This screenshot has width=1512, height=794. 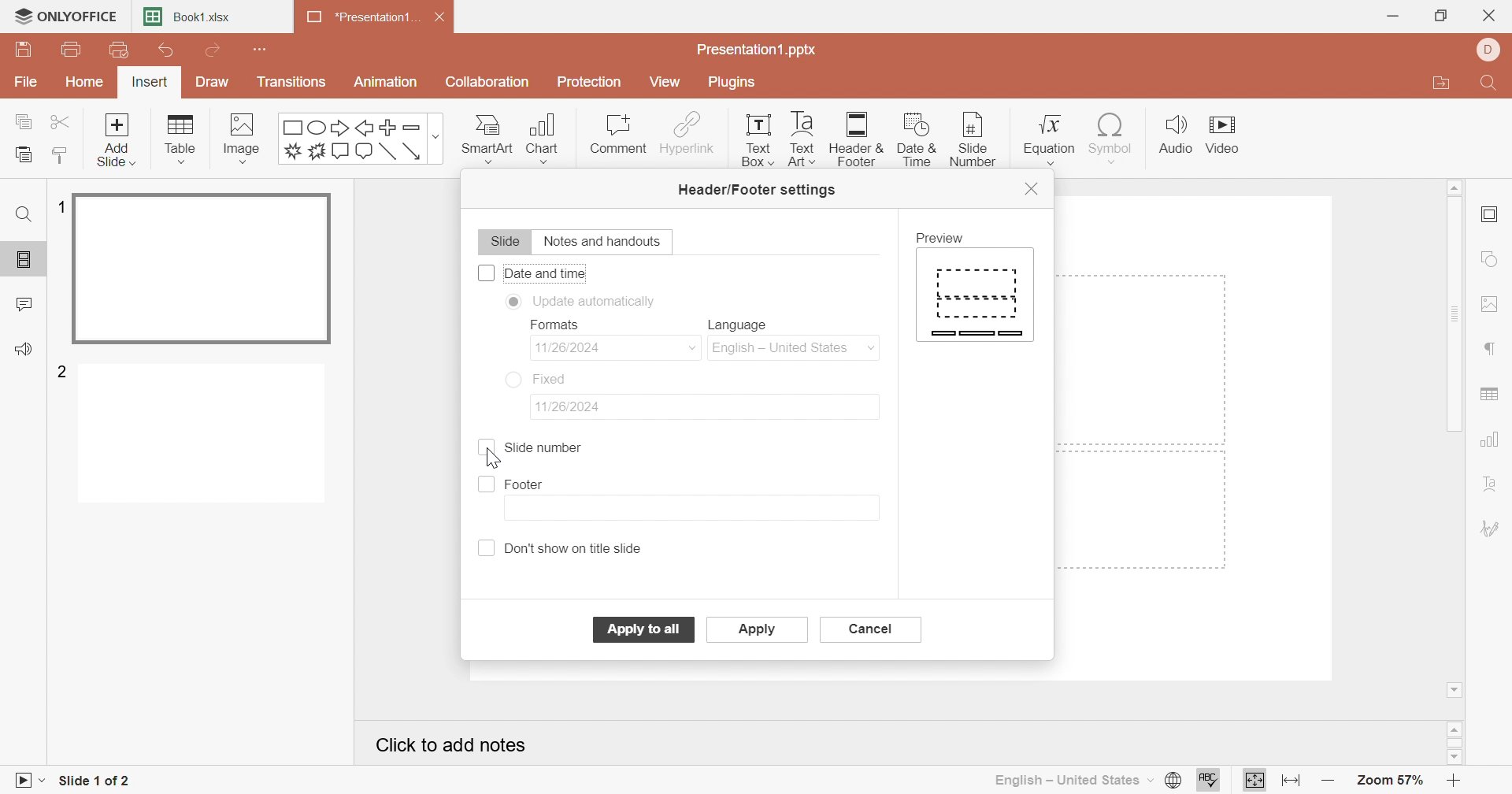 I want to click on Plugins, so click(x=733, y=82).